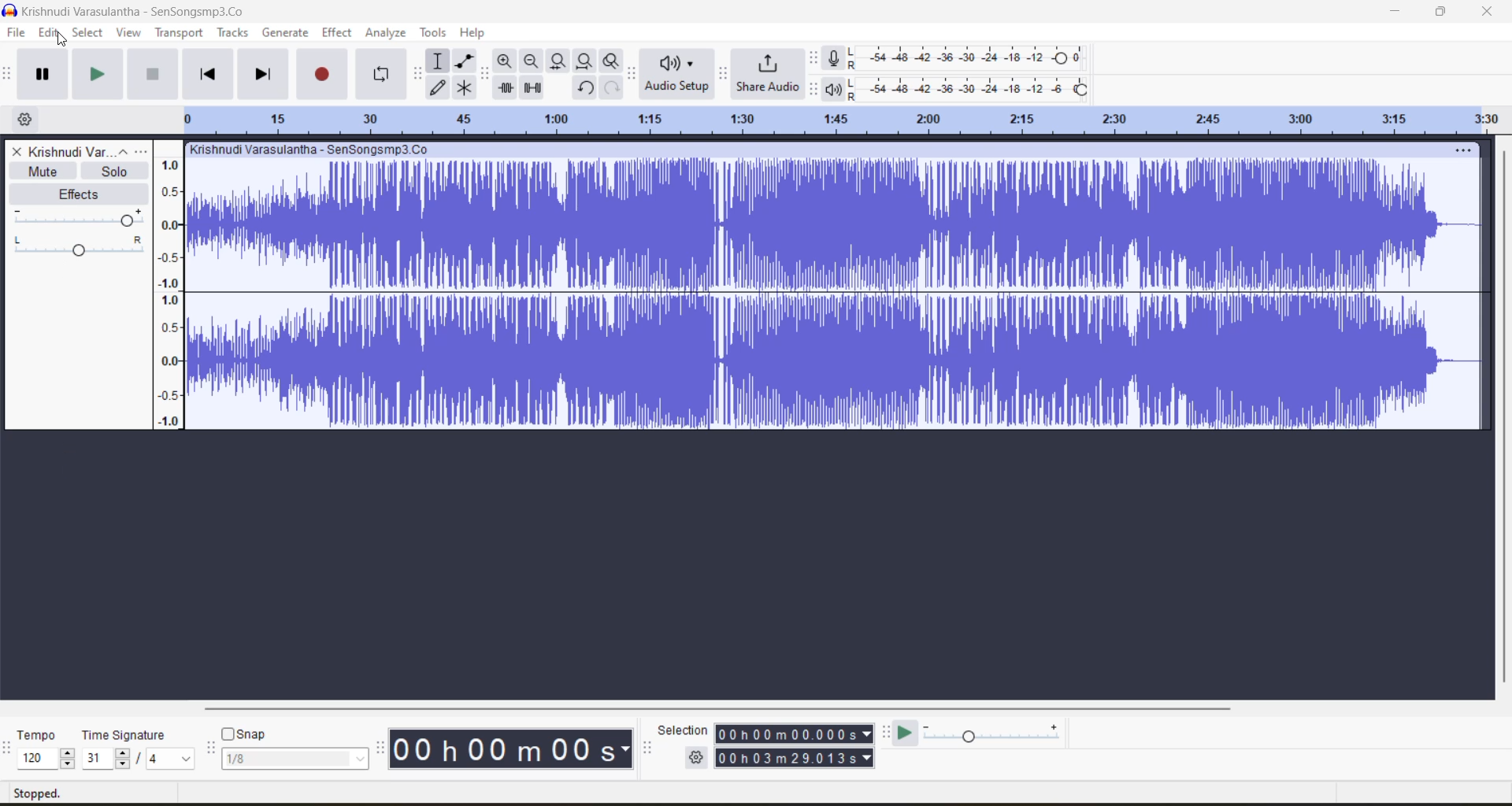 This screenshot has width=1512, height=806. What do you see at coordinates (466, 87) in the screenshot?
I see `multi tool` at bounding box center [466, 87].